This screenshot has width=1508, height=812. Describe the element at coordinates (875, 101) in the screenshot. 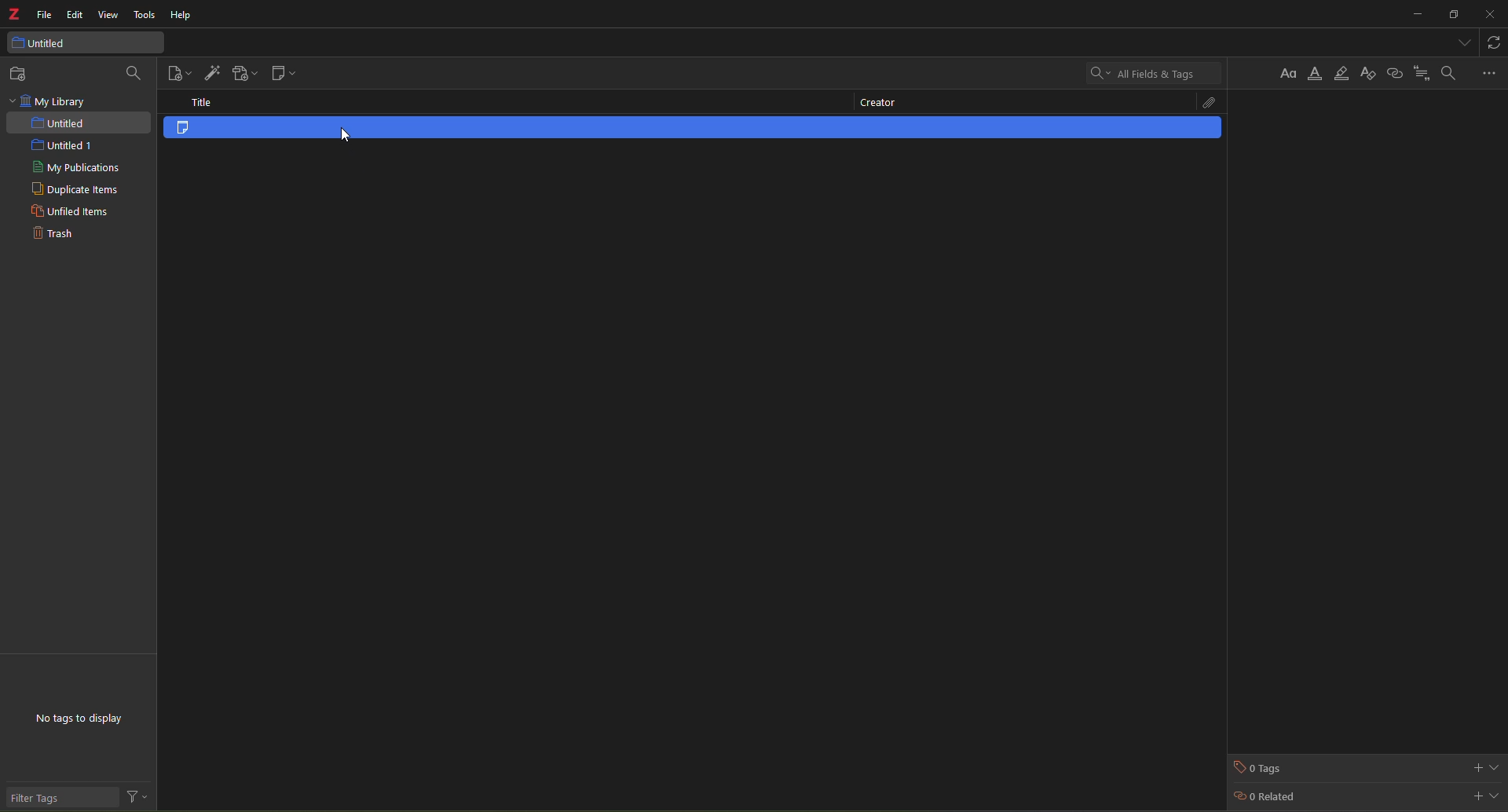

I see `creator` at that location.